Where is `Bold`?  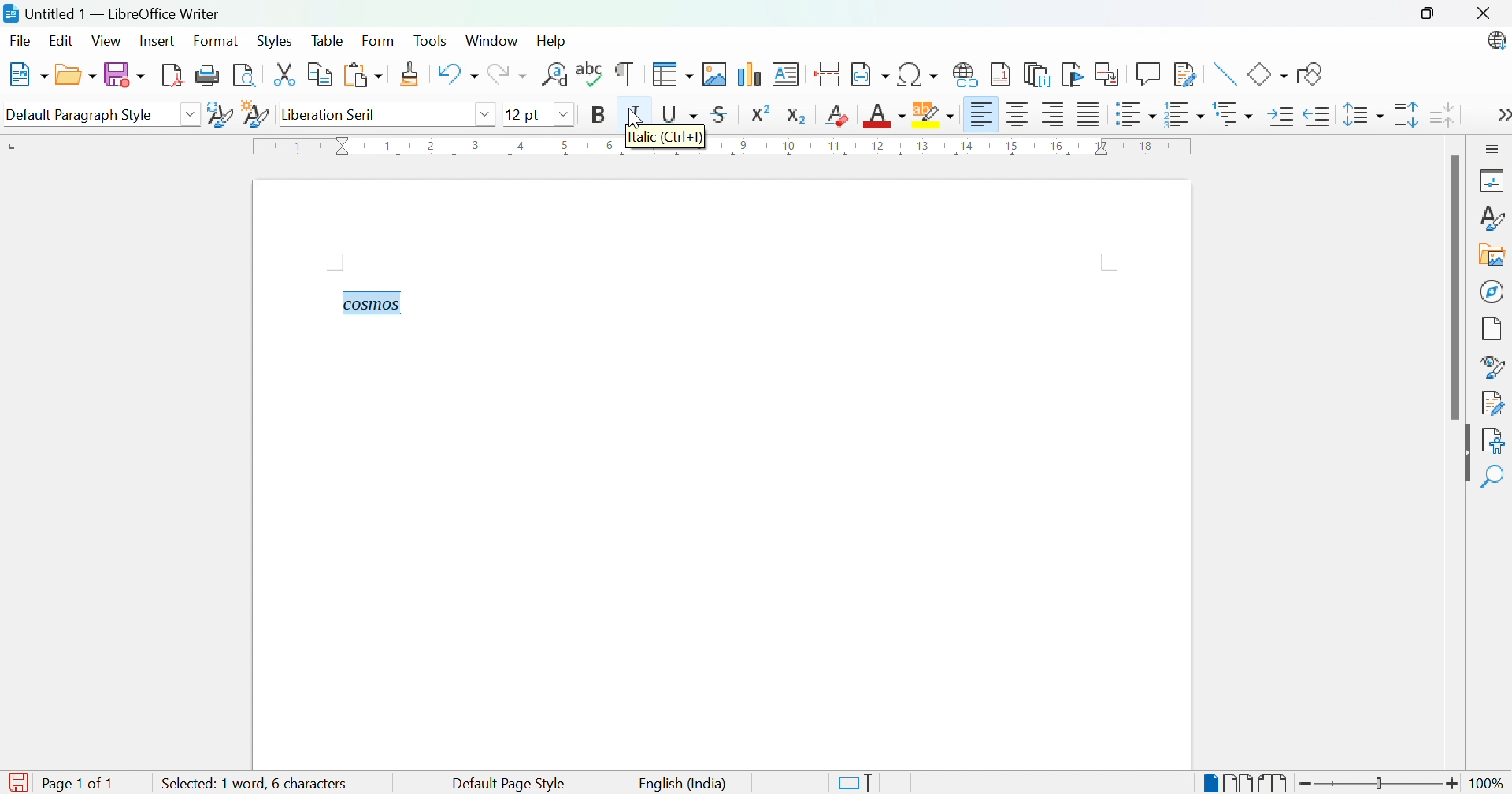
Bold is located at coordinates (595, 114).